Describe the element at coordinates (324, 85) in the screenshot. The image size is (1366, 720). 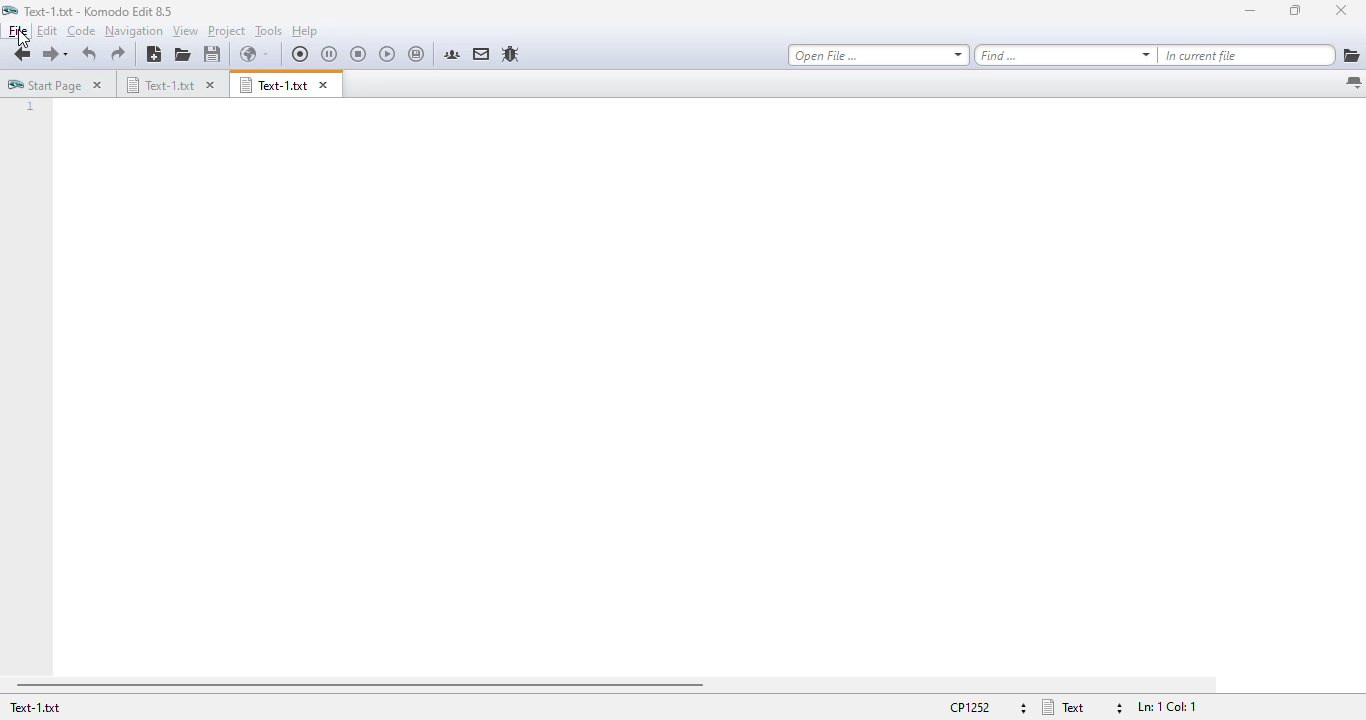
I see `close tab` at that location.